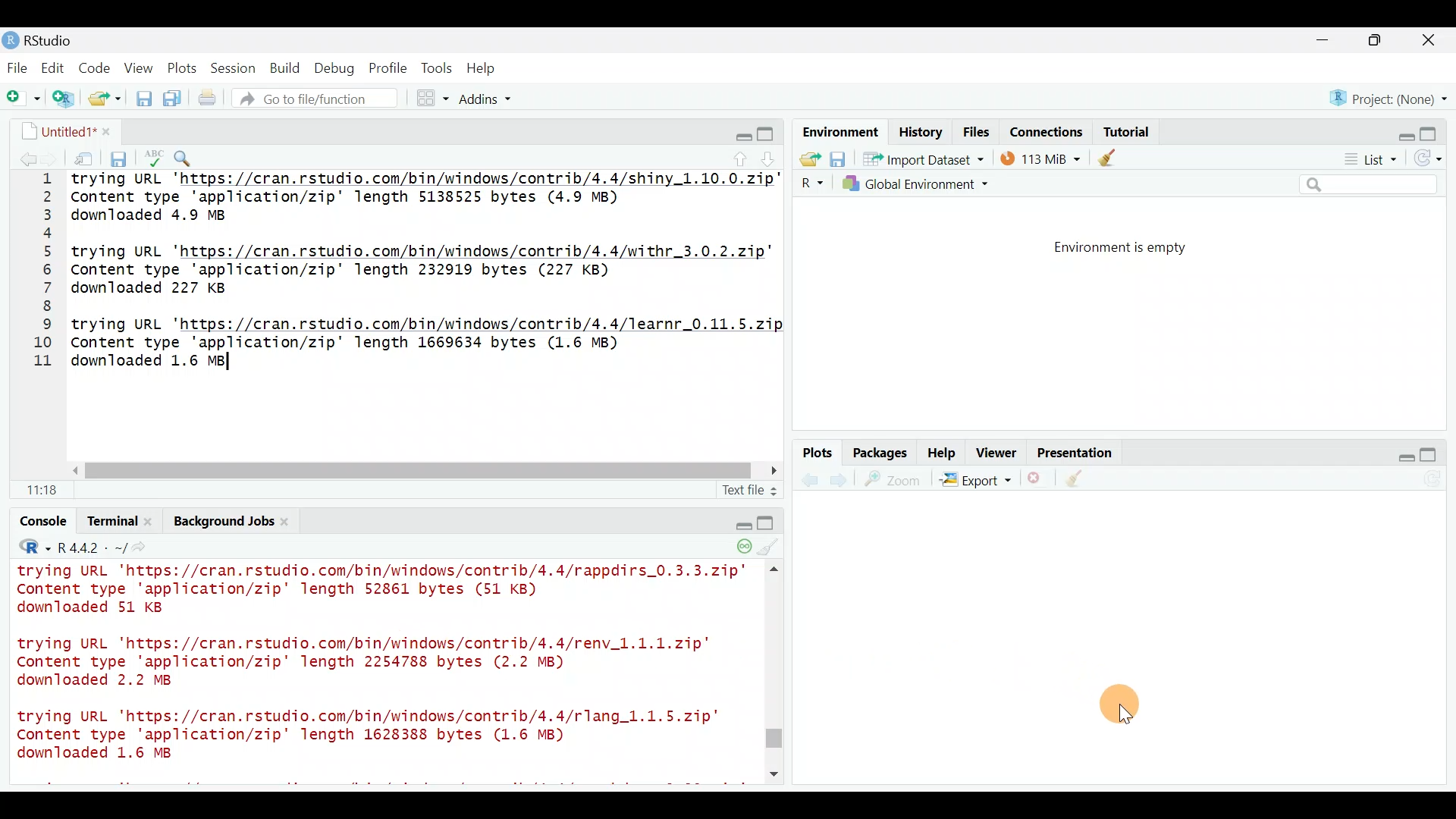 This screenshot has height=819, width=1456. I want to click on 11 downloaded 1.6 MB, so click(124, 364).